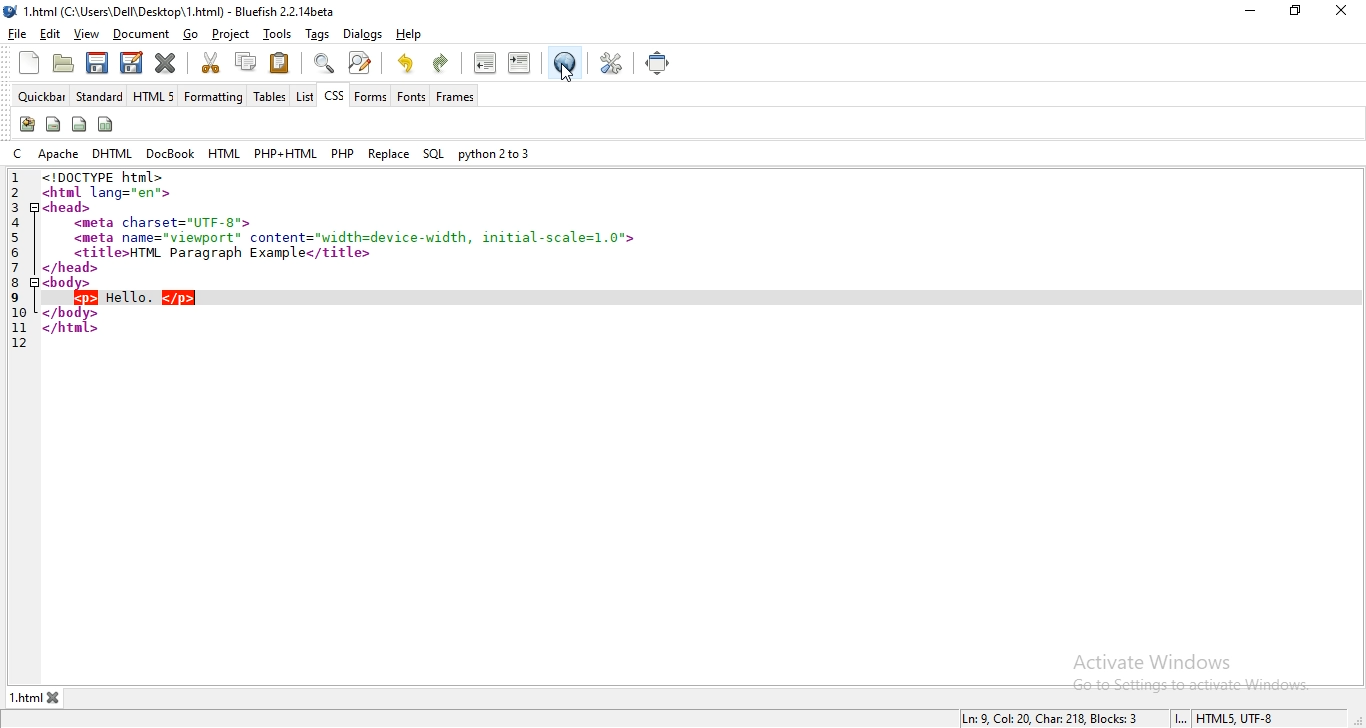 The width and height of the screenshot is (1366, 728). I want to click on edit, so click(51, 33).